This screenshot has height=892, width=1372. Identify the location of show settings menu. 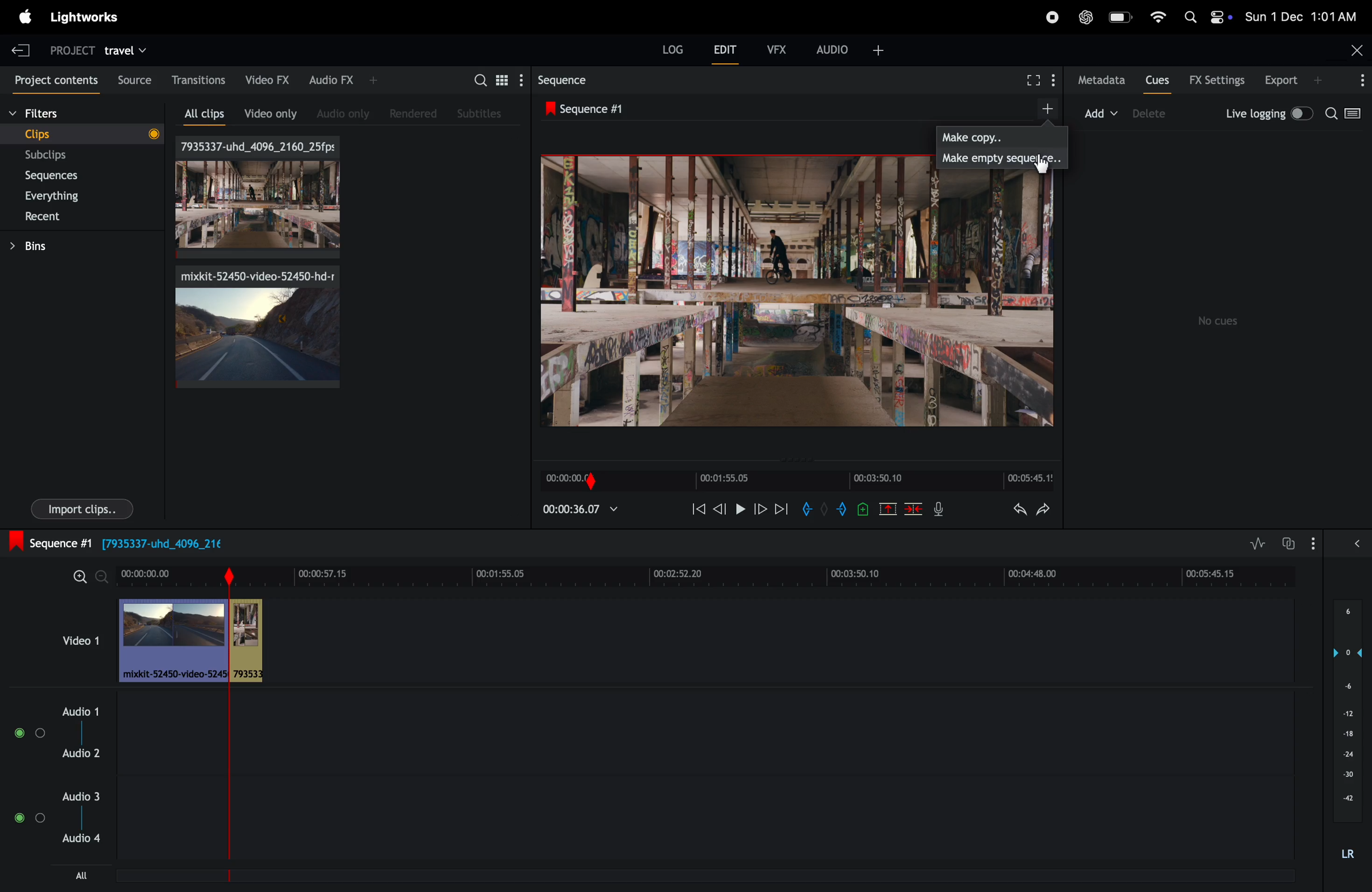
(520, 80).